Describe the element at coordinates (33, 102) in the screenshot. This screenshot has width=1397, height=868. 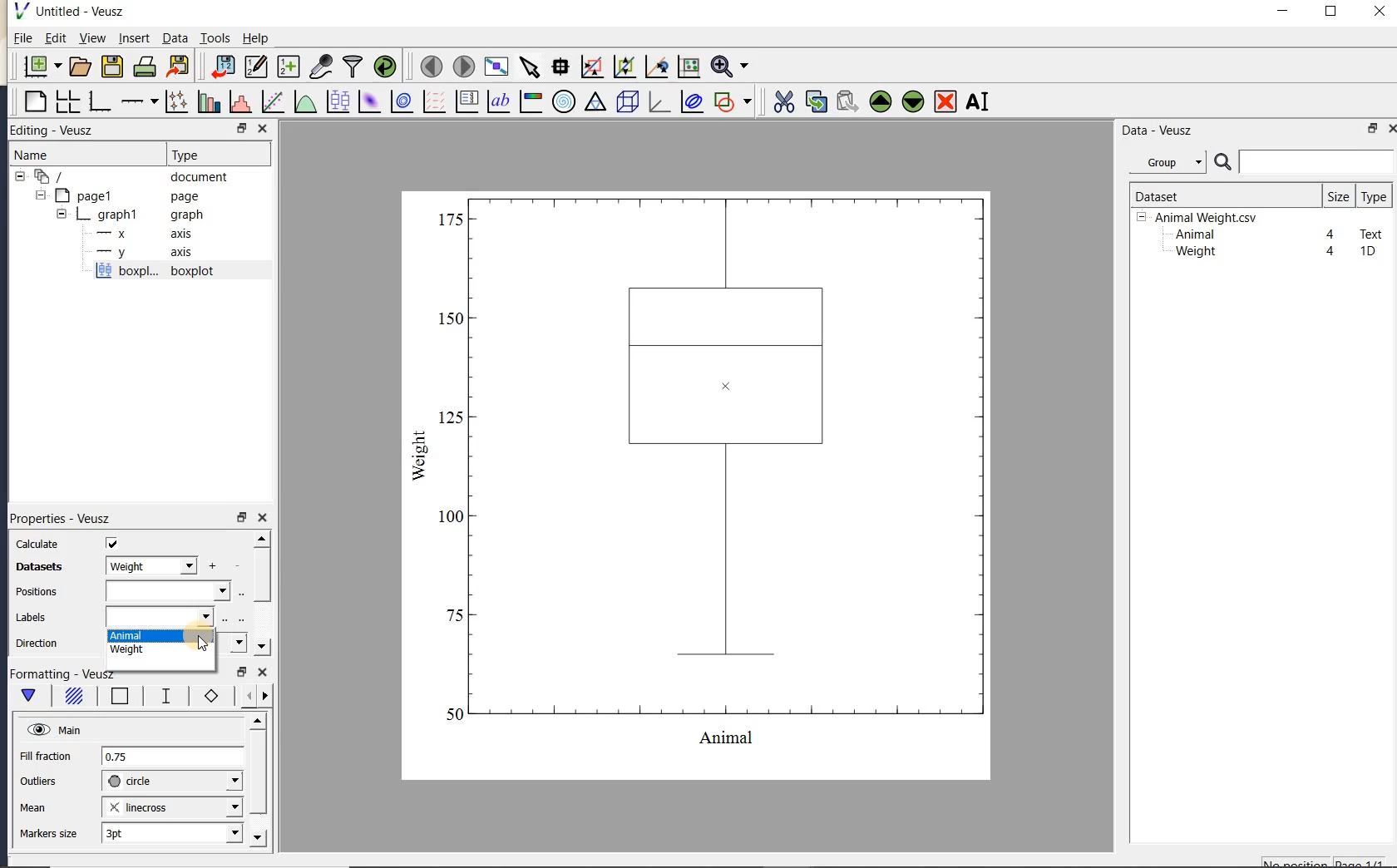
I see `blank page` at that location.